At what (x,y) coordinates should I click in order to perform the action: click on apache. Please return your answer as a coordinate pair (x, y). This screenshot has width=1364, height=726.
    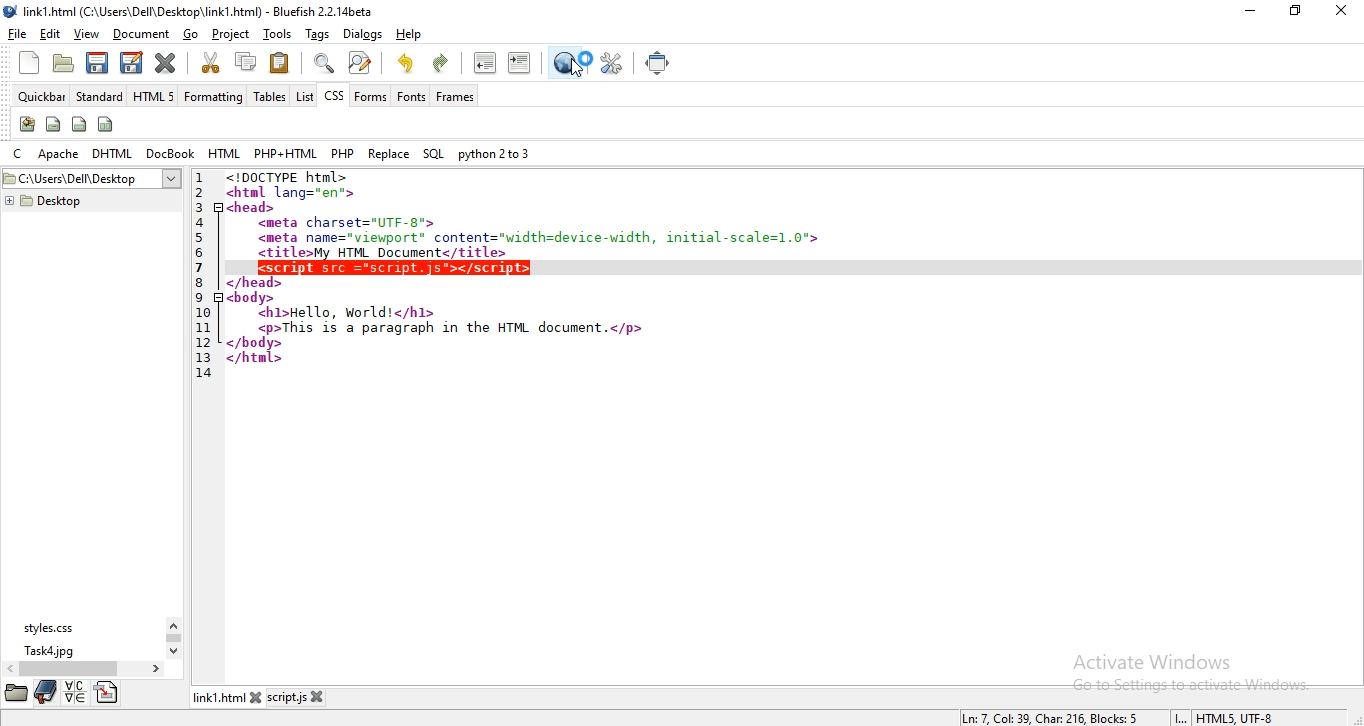
    Looking at the image, I should click on (58, 153).